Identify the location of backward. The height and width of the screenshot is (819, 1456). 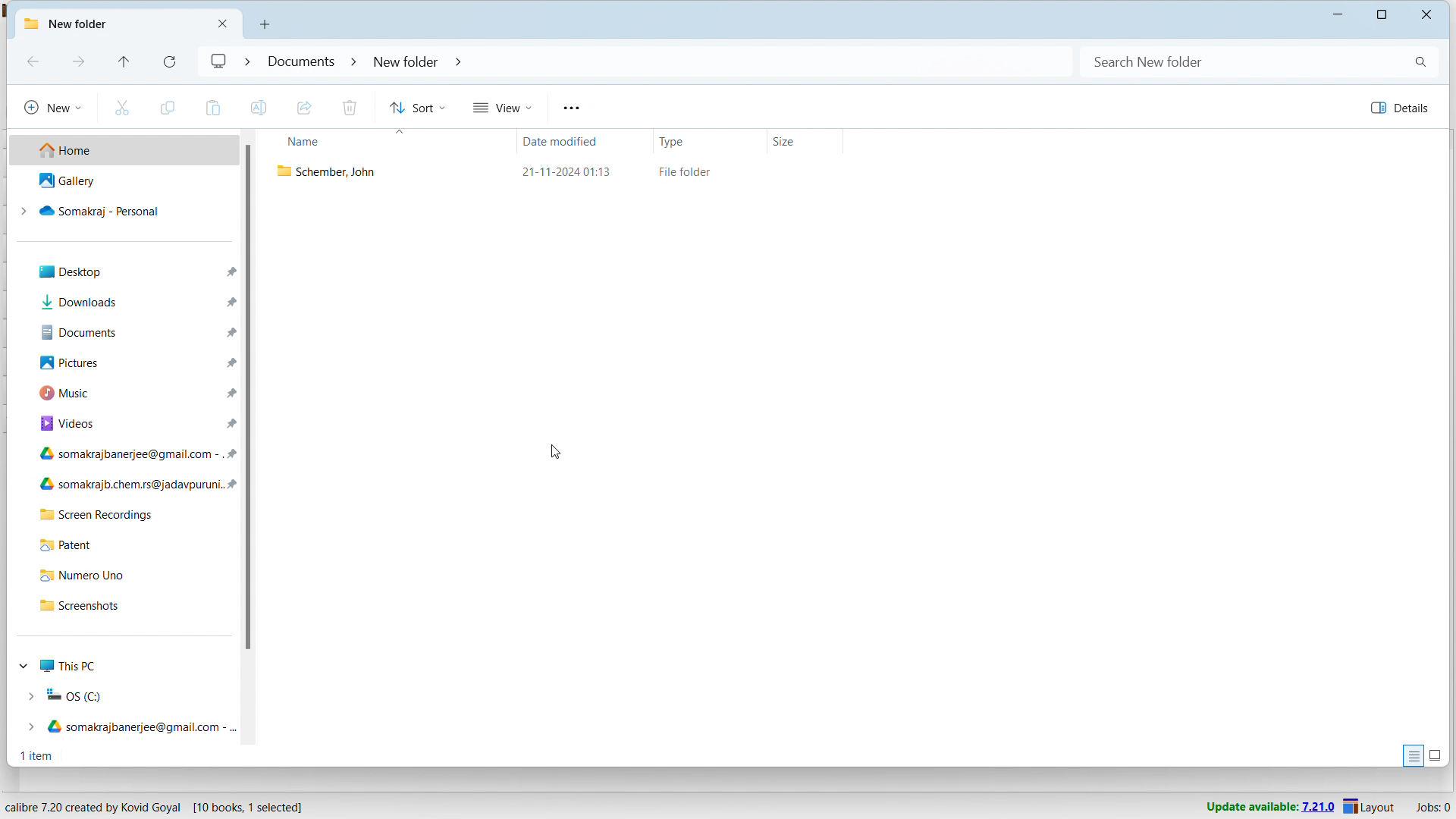
(32, 61).